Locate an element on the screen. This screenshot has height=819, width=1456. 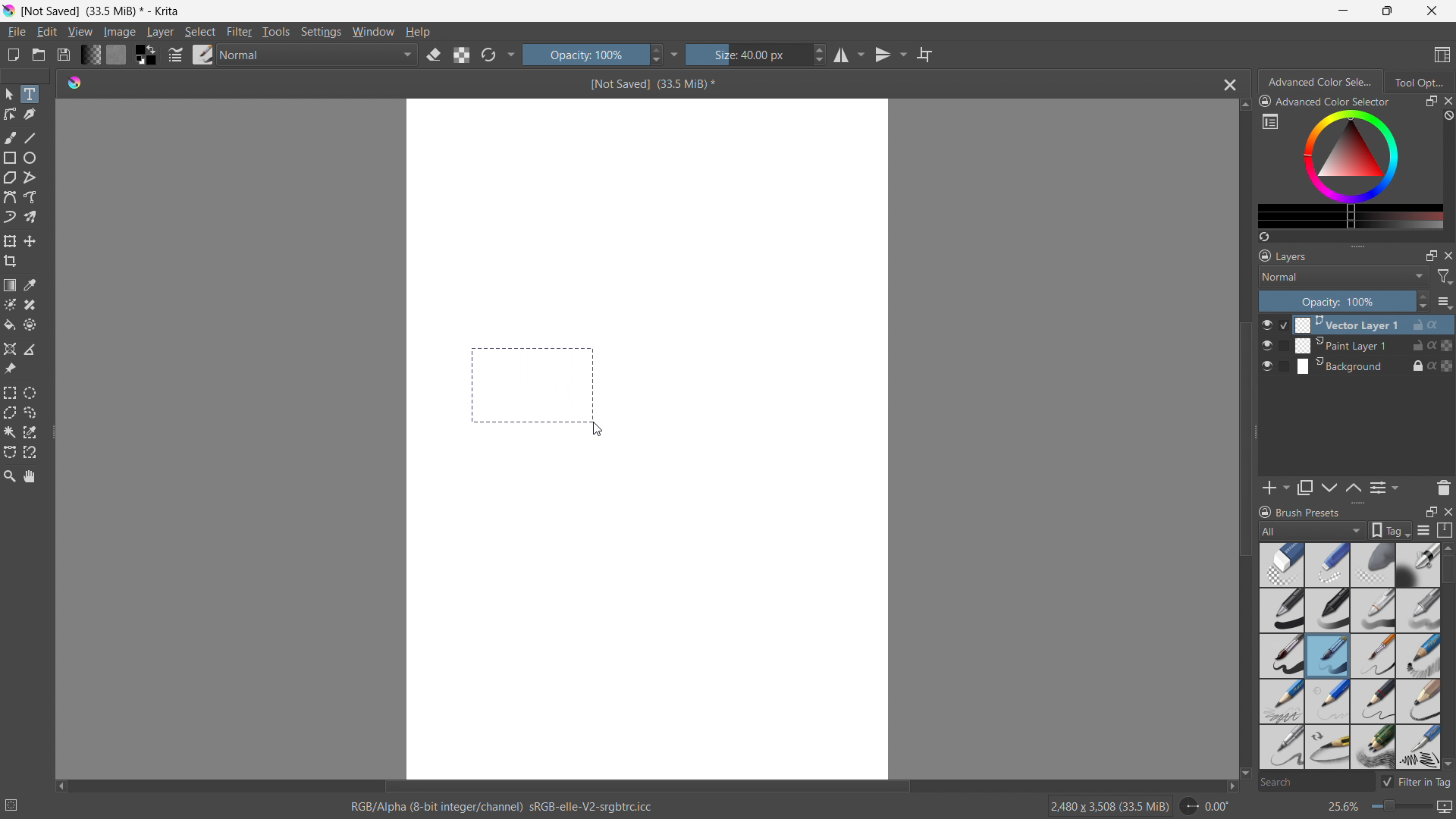
RGB/ Alpha (8- bit integer/ channel) is located at coordinates (502, 808).